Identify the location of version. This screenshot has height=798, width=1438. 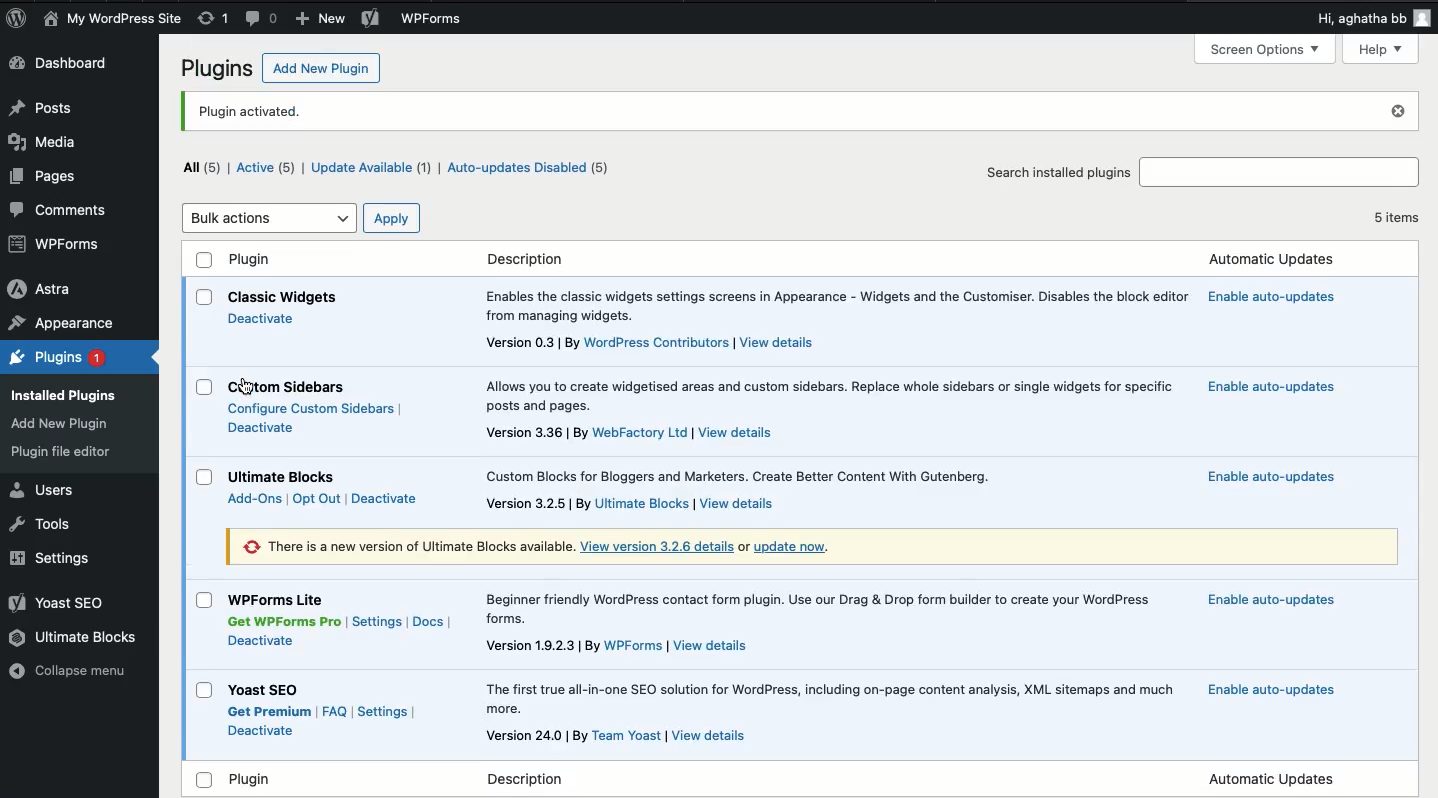
(542, 649).